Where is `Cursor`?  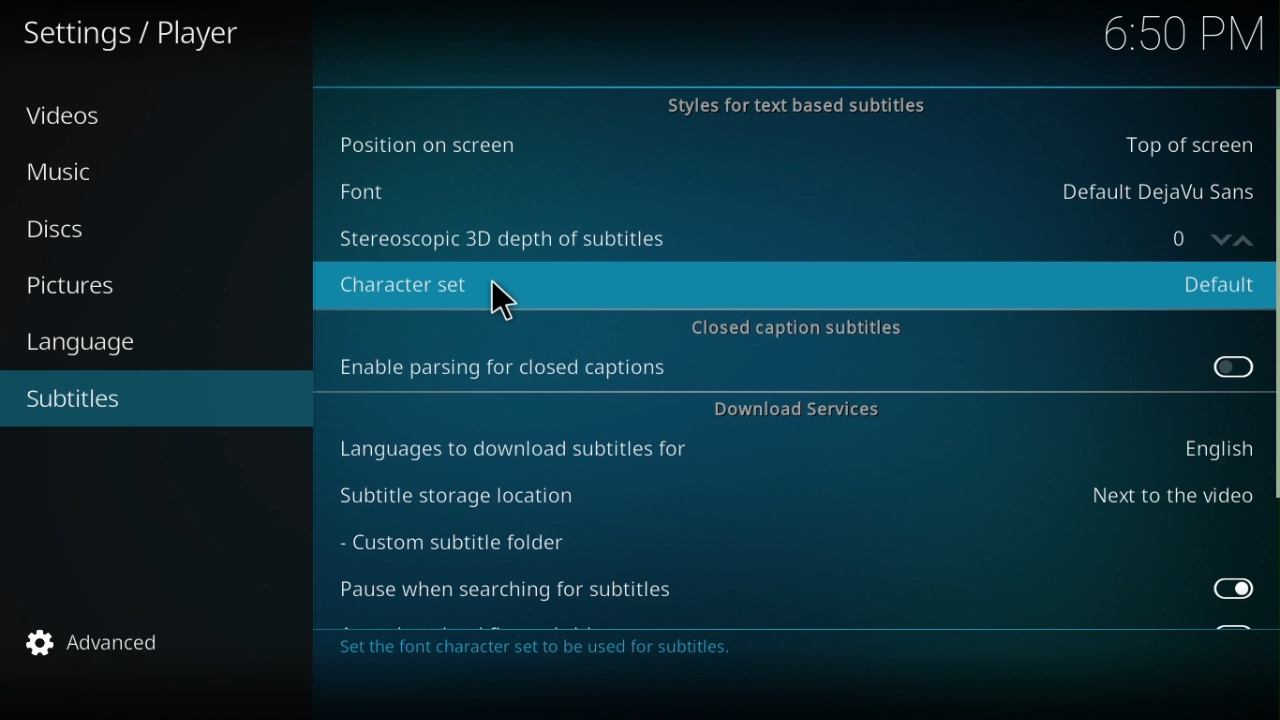
Cursor is located at coordinates (504, 302).